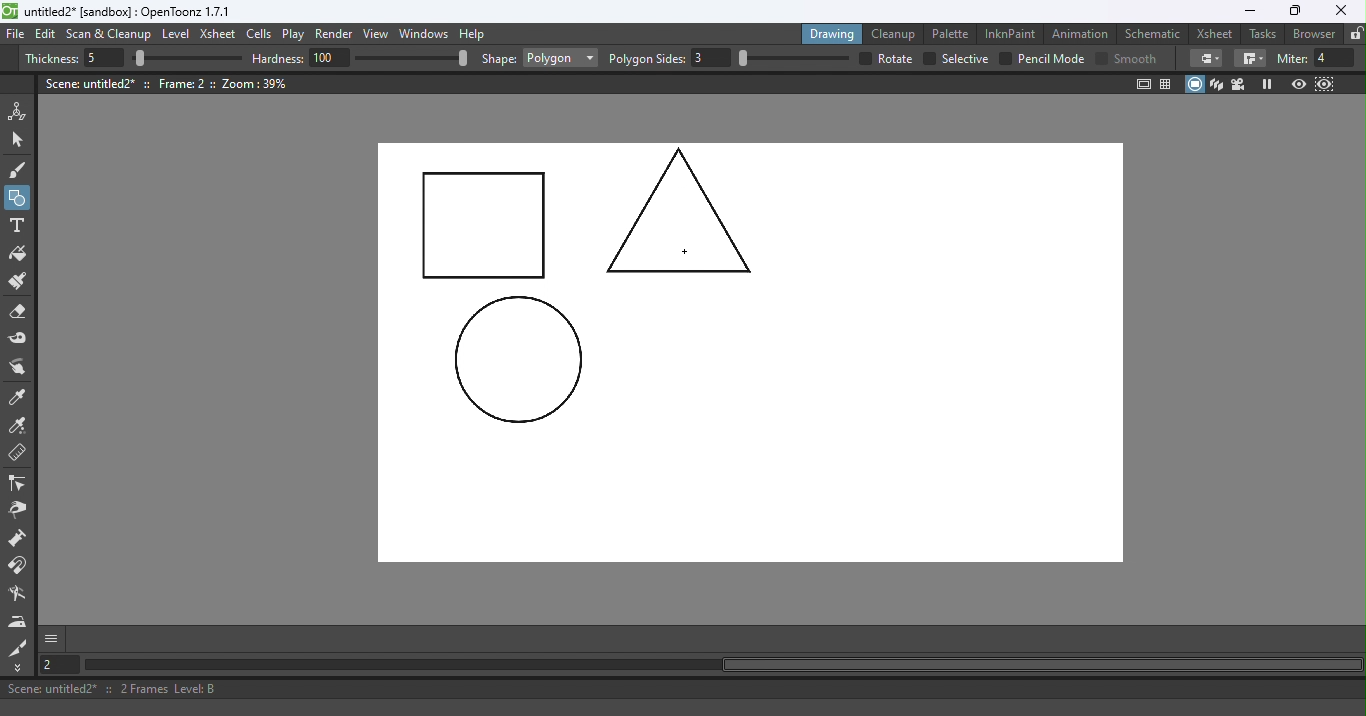  Describe the element at coordinates (379, 36) in the screenshot. I see `View` at that location.